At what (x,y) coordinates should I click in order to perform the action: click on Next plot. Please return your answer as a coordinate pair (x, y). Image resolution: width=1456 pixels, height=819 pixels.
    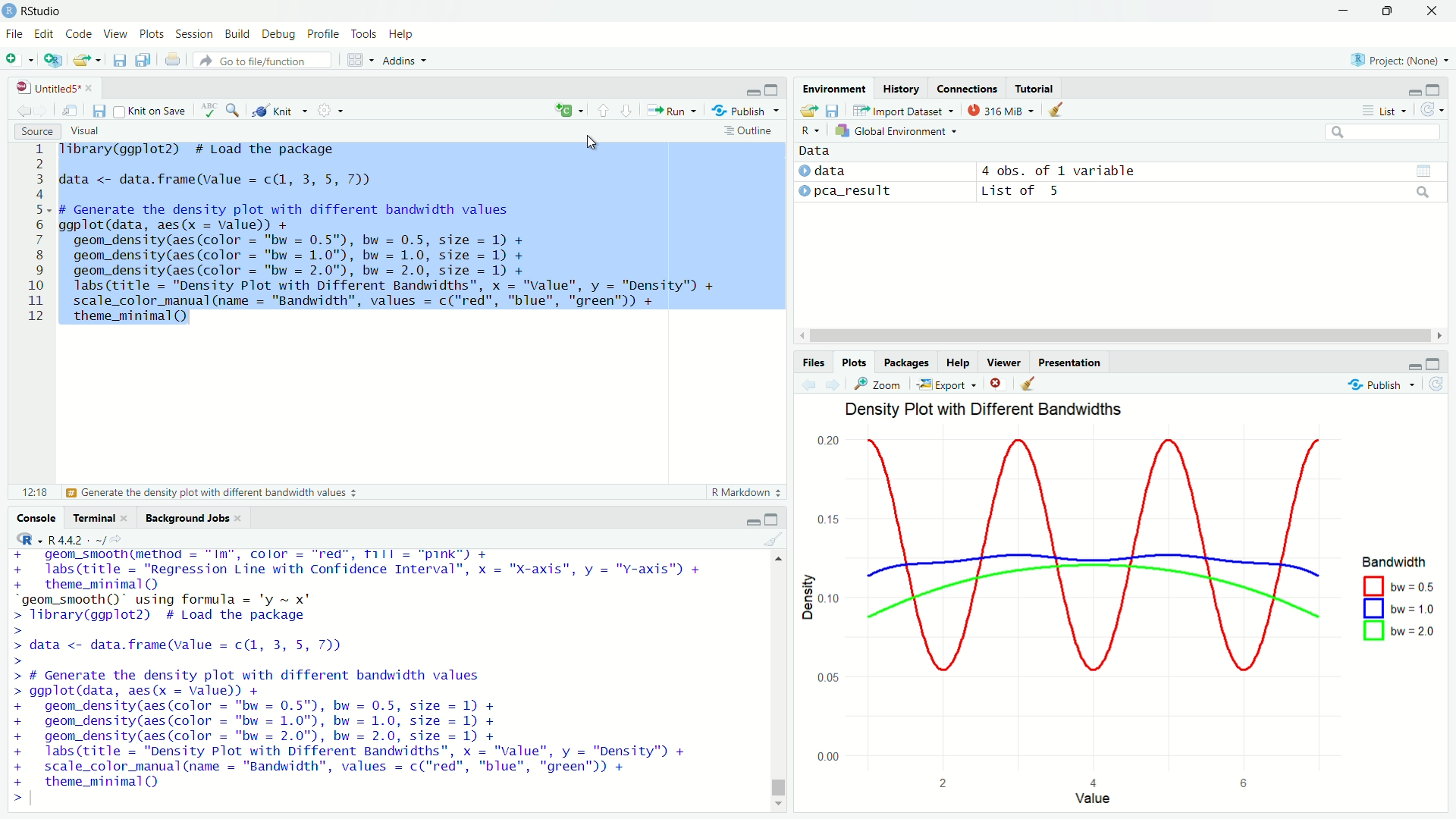
    Looking at the image, I should click on (832, 384).